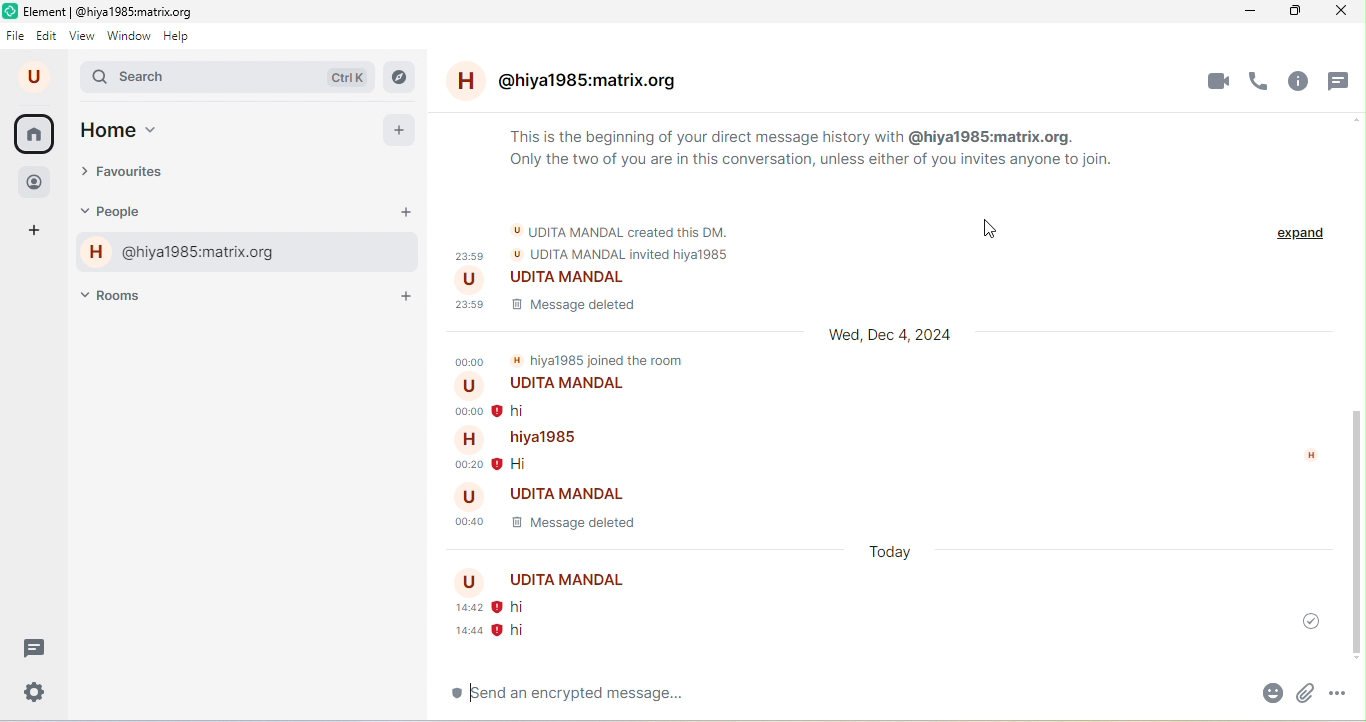 The width and height of the screenshot is (1366, 722). What do you see at coordinates (462, 465) in the screenshot?
I see `00.20` at bounding box center [462, 465].